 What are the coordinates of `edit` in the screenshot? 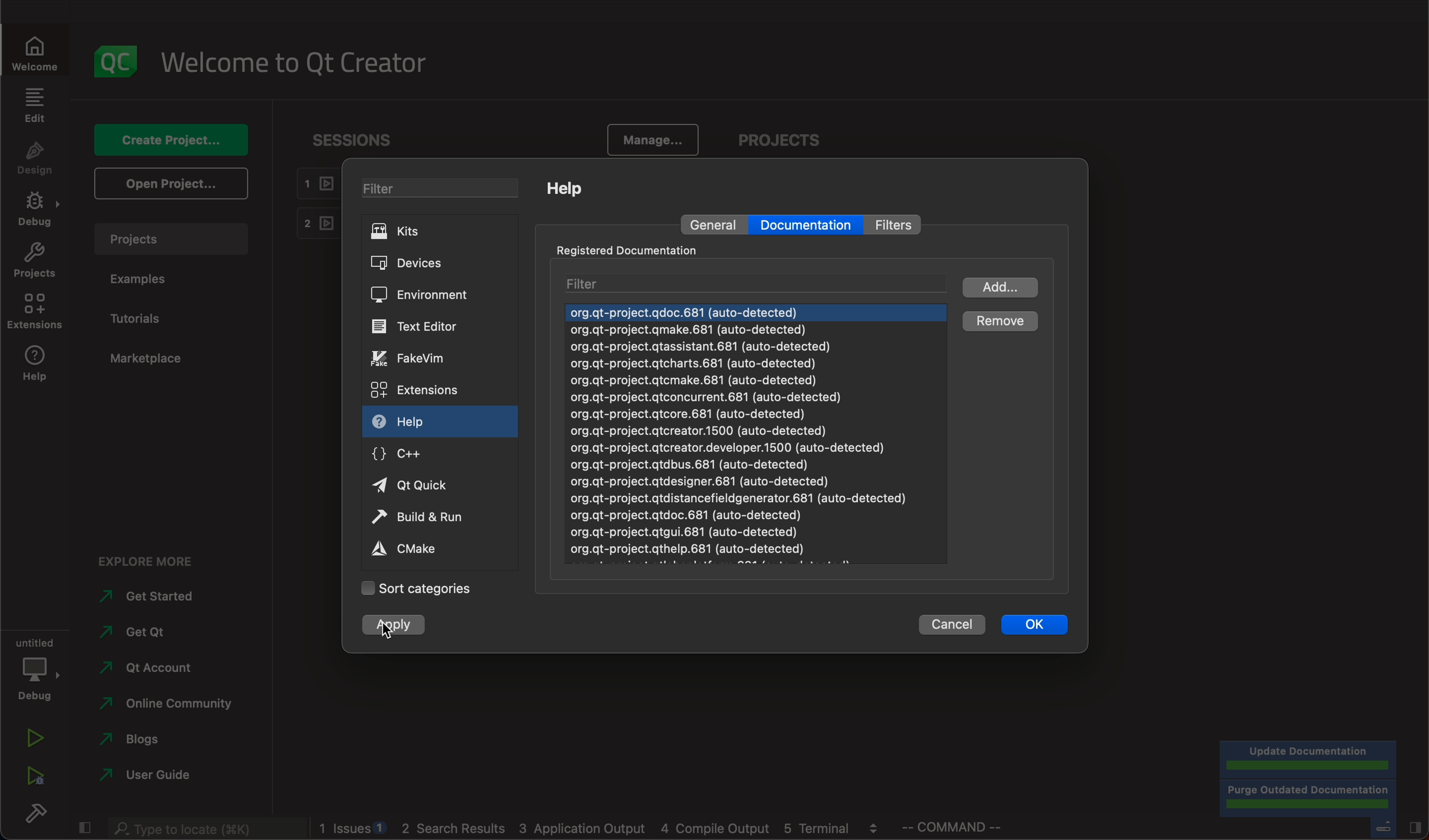 It's located at (38, 108).